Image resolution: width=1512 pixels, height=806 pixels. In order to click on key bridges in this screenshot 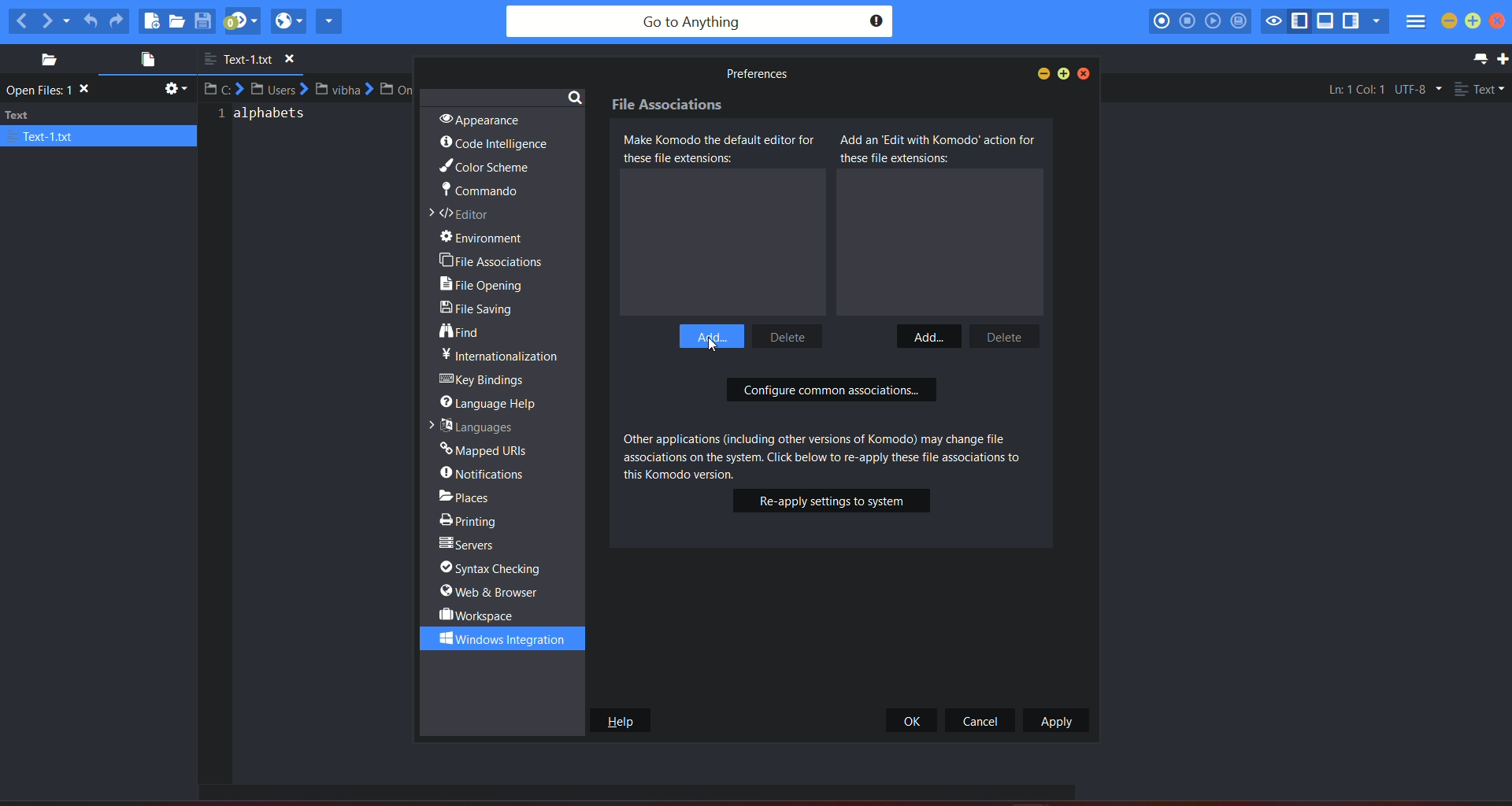, I will do `click(485, 380)`.